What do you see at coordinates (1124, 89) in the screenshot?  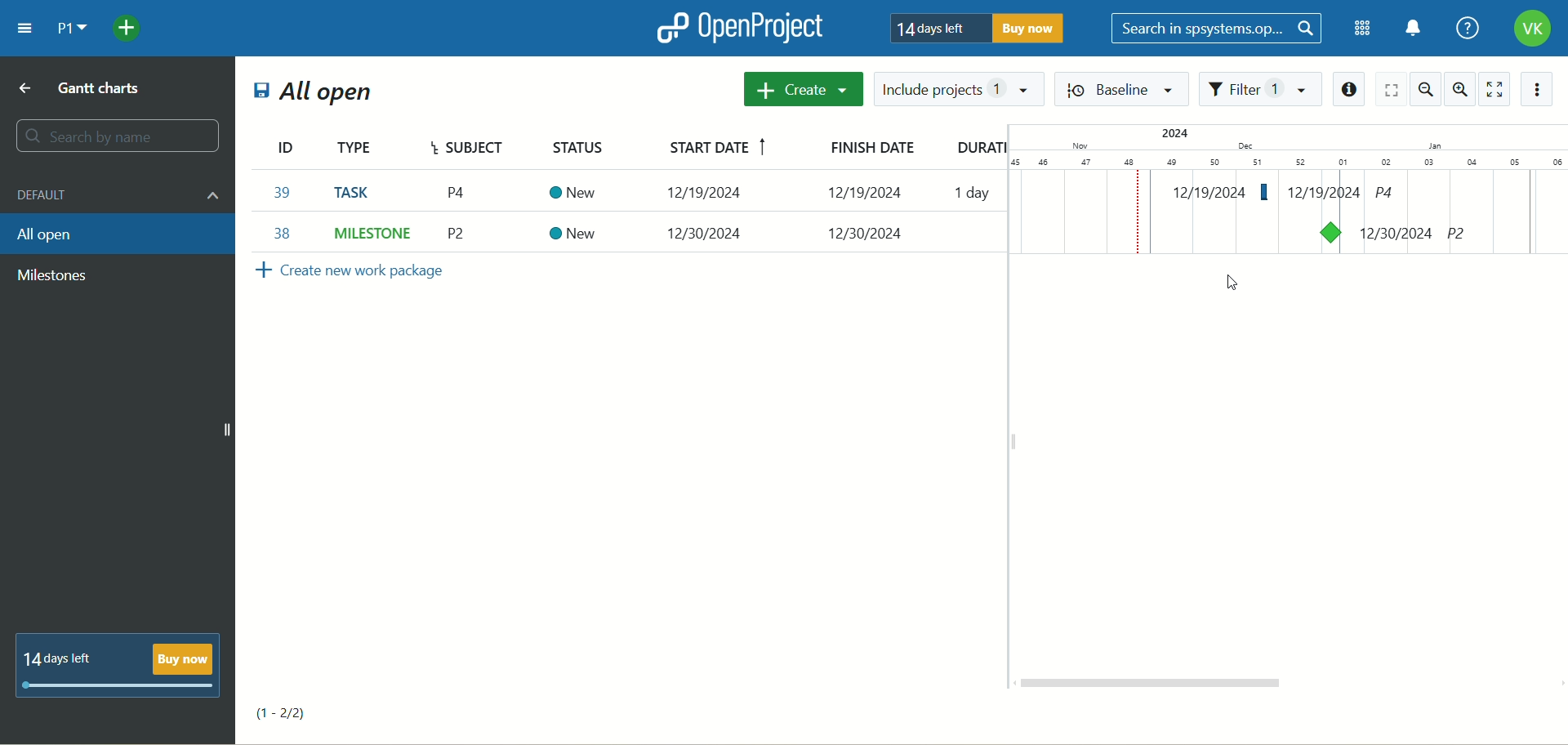 I see `baseline` at bounding box center [1124, 89].